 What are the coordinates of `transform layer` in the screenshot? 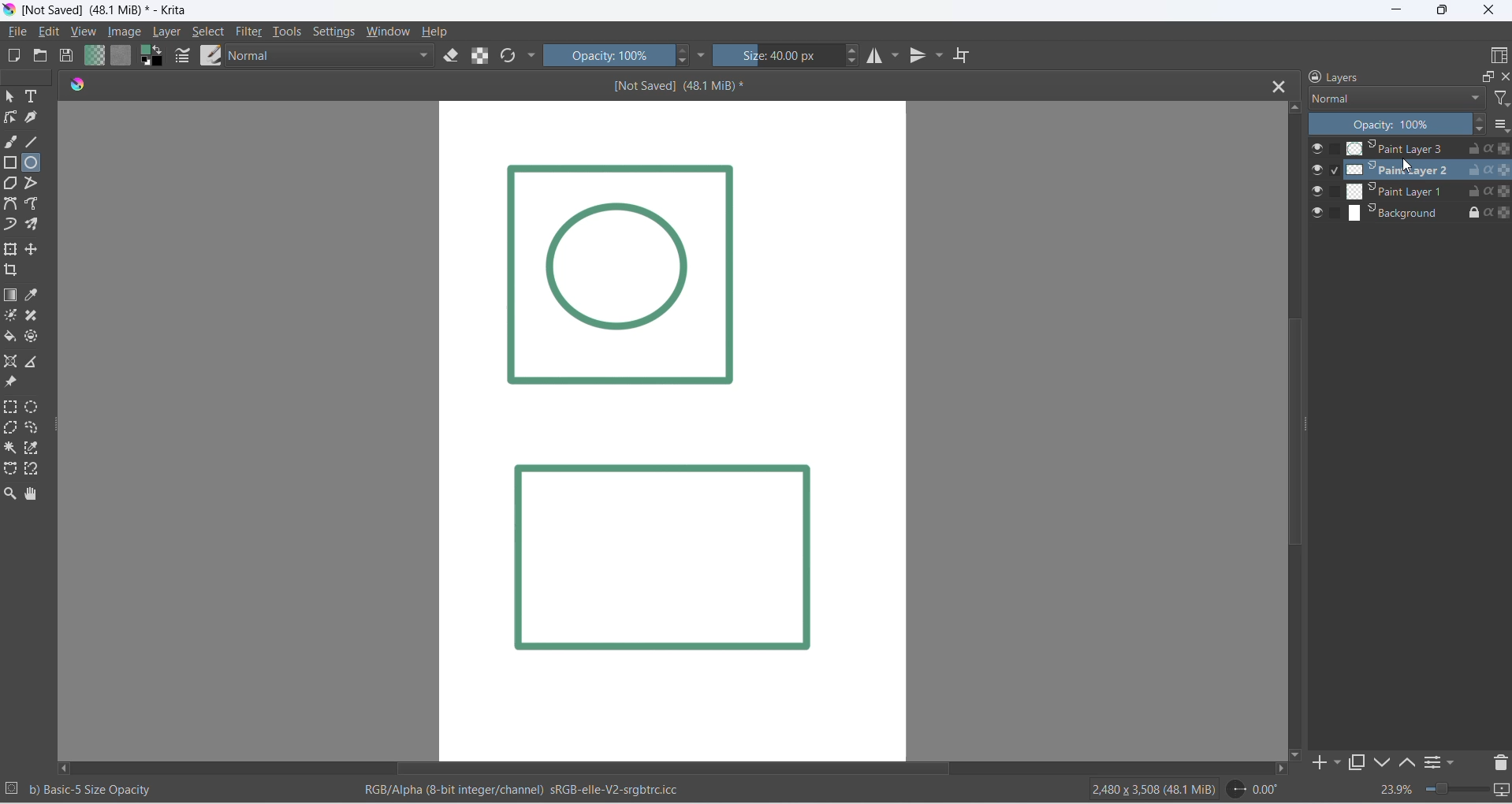 It's located at (10, 248).